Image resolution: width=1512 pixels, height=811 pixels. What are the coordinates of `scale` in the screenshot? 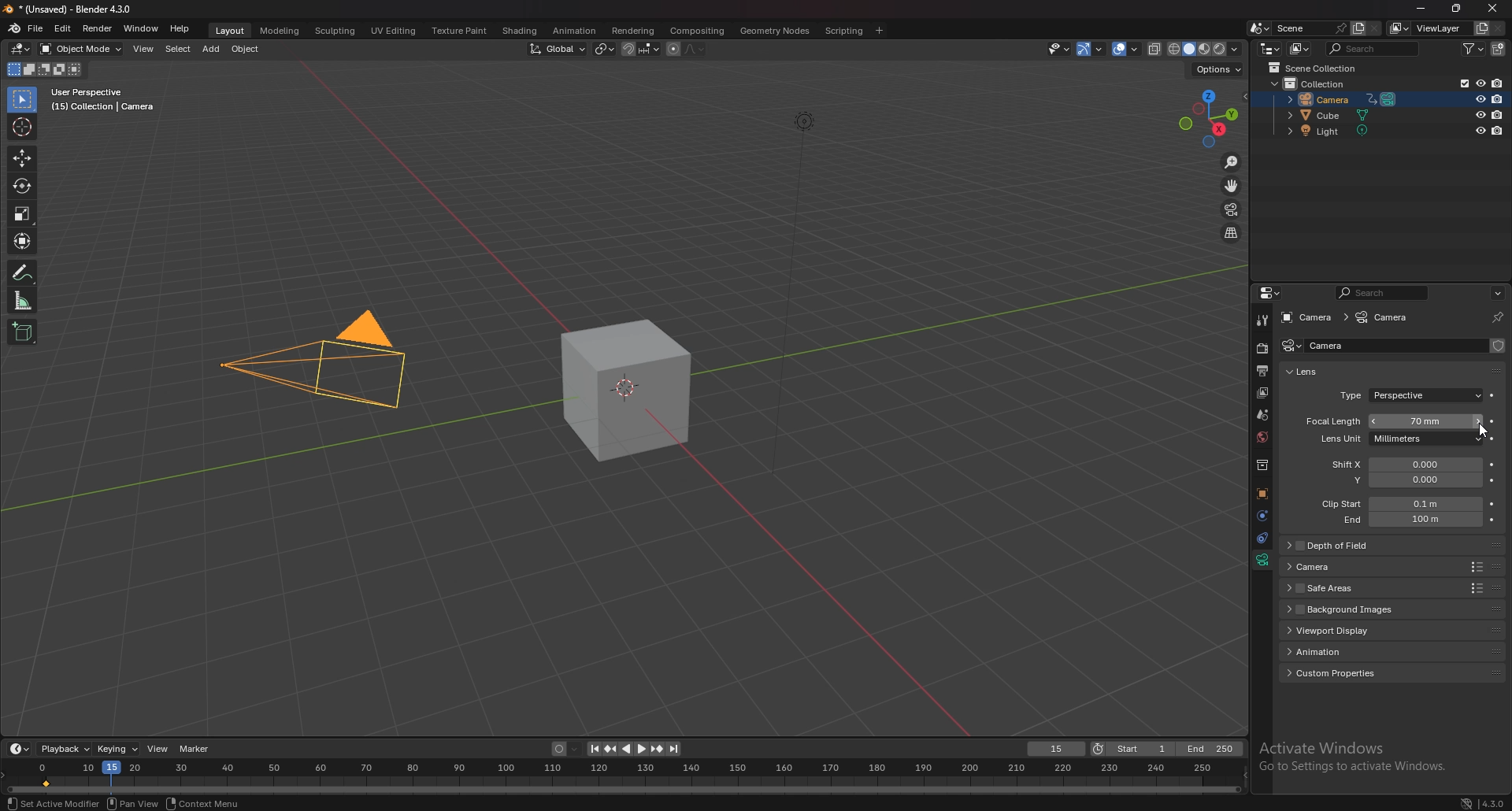 It's located at (24, 213).